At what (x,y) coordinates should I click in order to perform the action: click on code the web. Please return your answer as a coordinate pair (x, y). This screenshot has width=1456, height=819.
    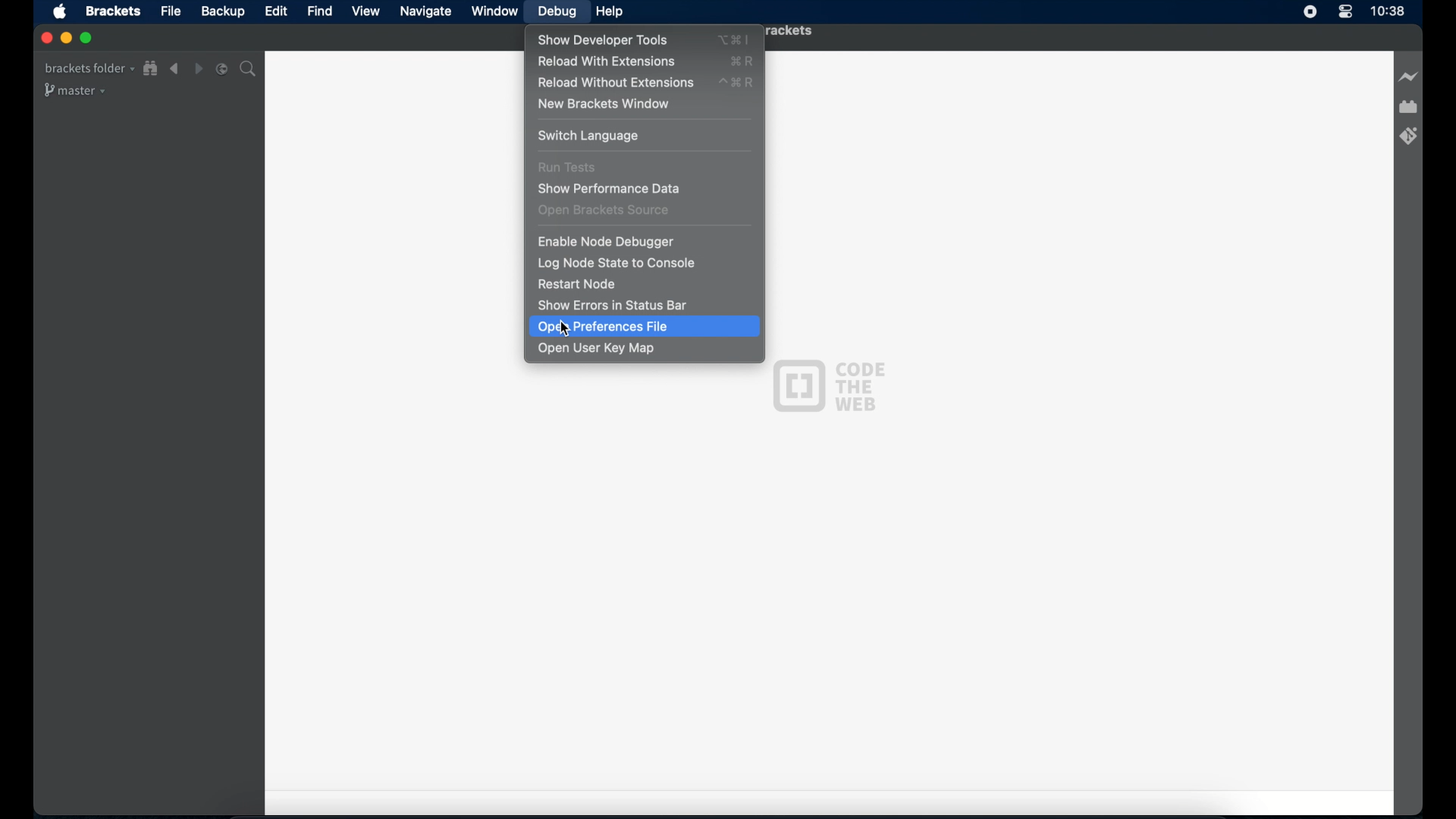
    Looking at the image, I should click on (830, 387).